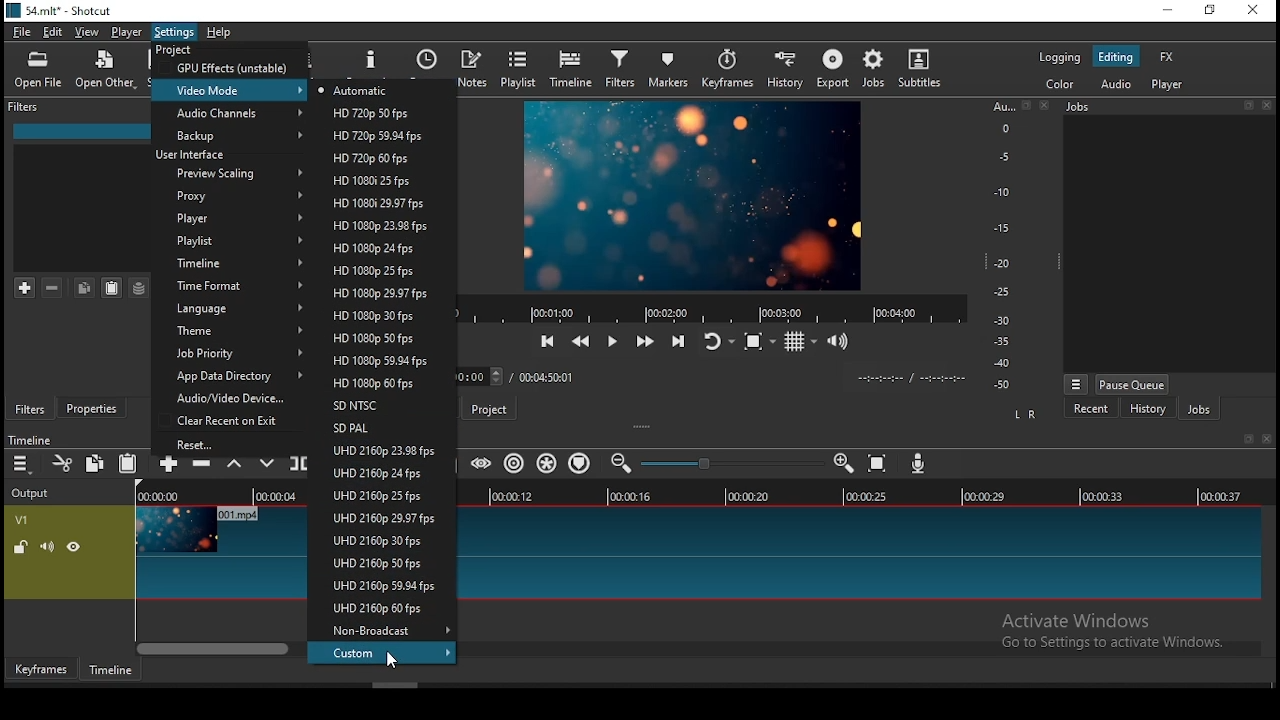 The image size is (1280, 720). What do you see at coordinates (427, 63) in the screenshot?
I see `recent` at bounding box center [427, 63].